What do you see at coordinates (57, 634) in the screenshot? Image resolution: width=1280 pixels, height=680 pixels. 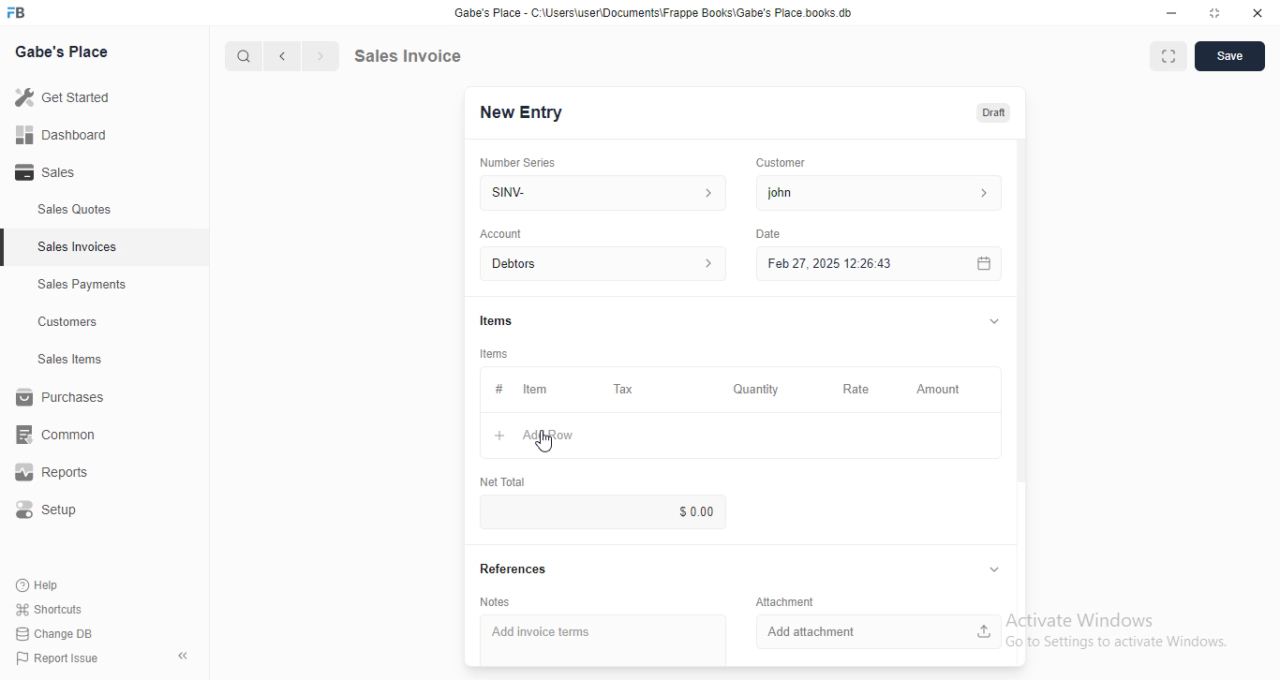 I see `Change DB` at bounding box center [57, 634].